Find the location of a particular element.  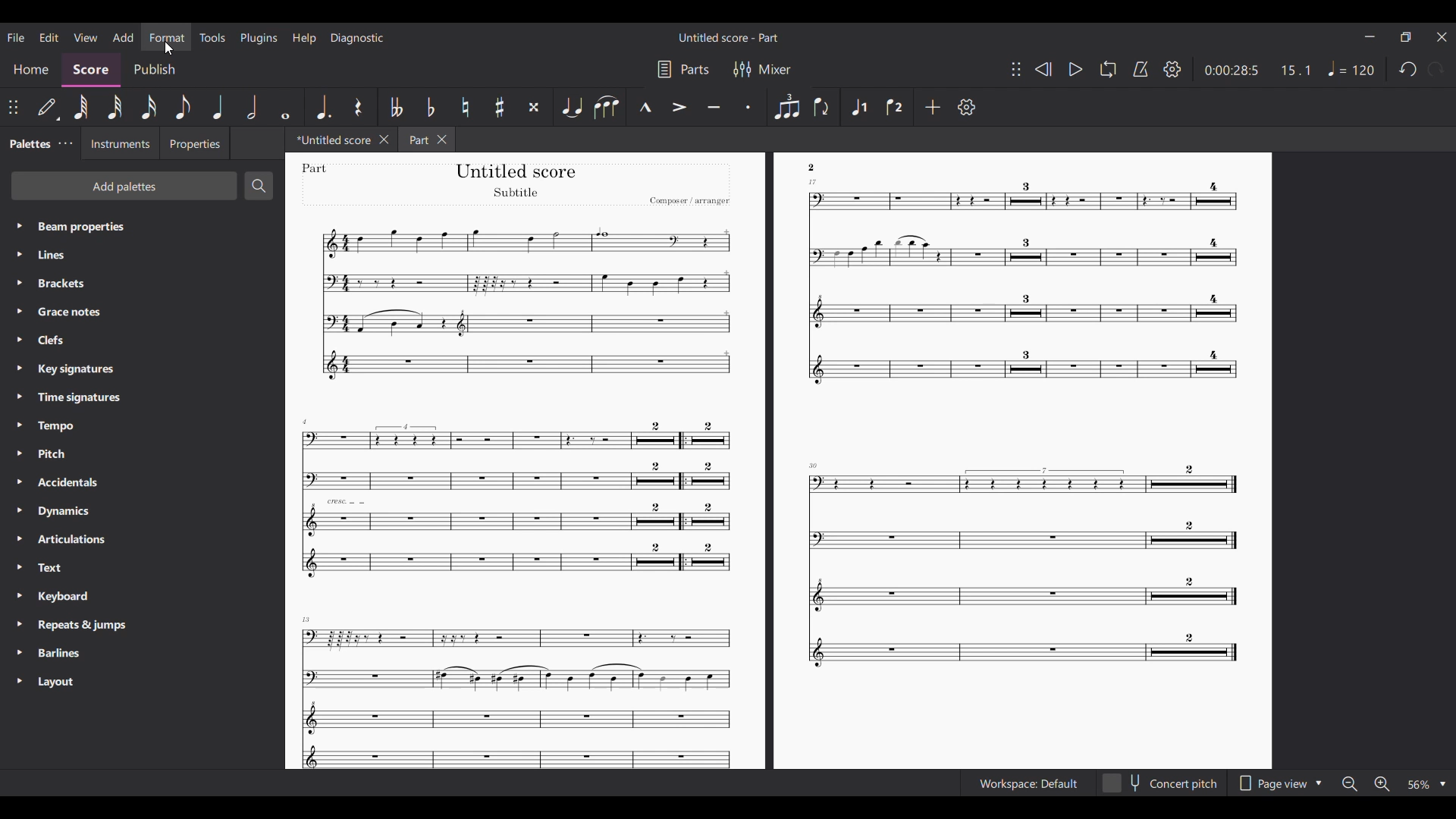

Close tab is located at coordinates (442, 140).